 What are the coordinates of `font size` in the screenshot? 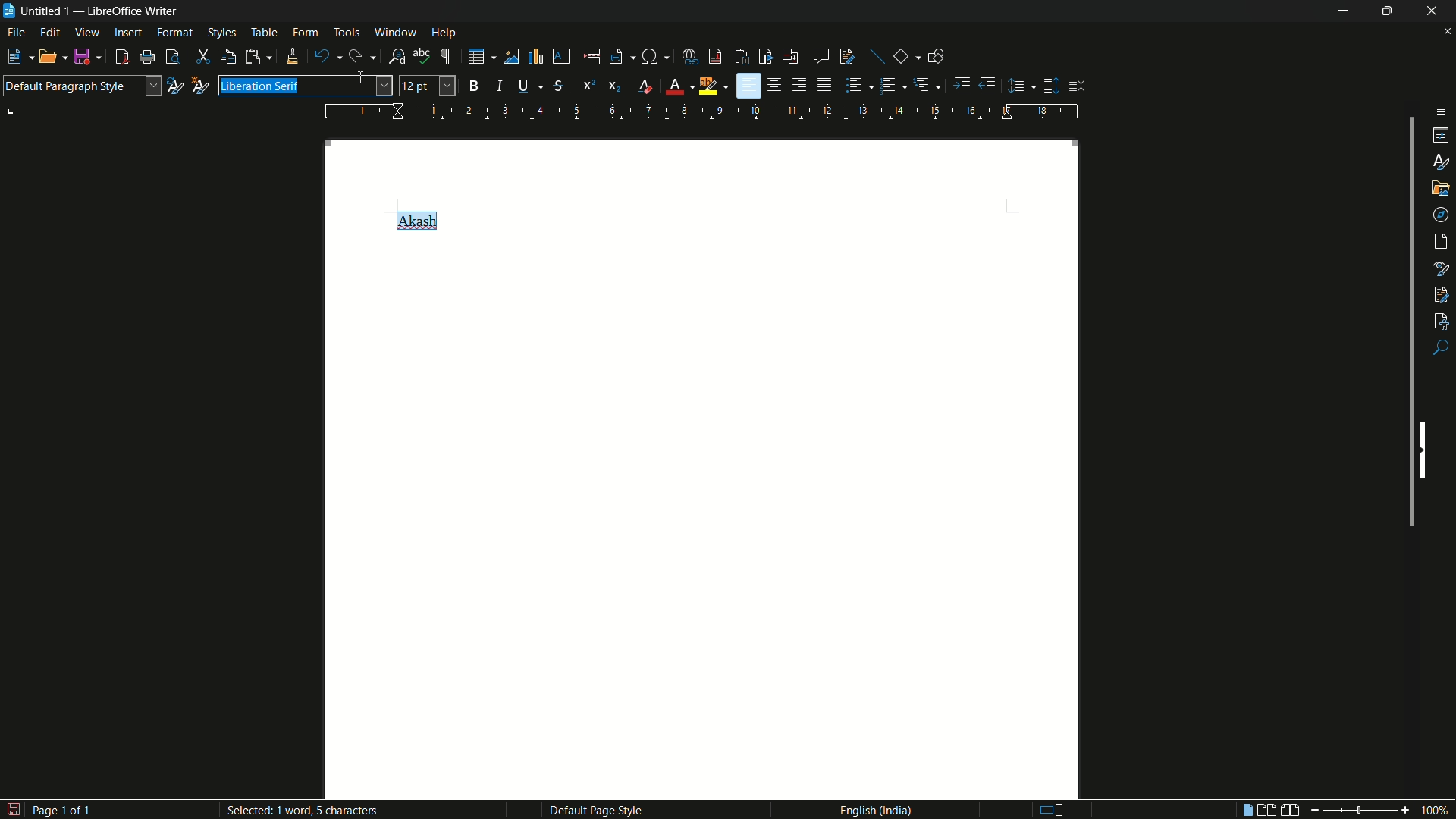 It's located at (428, 86).